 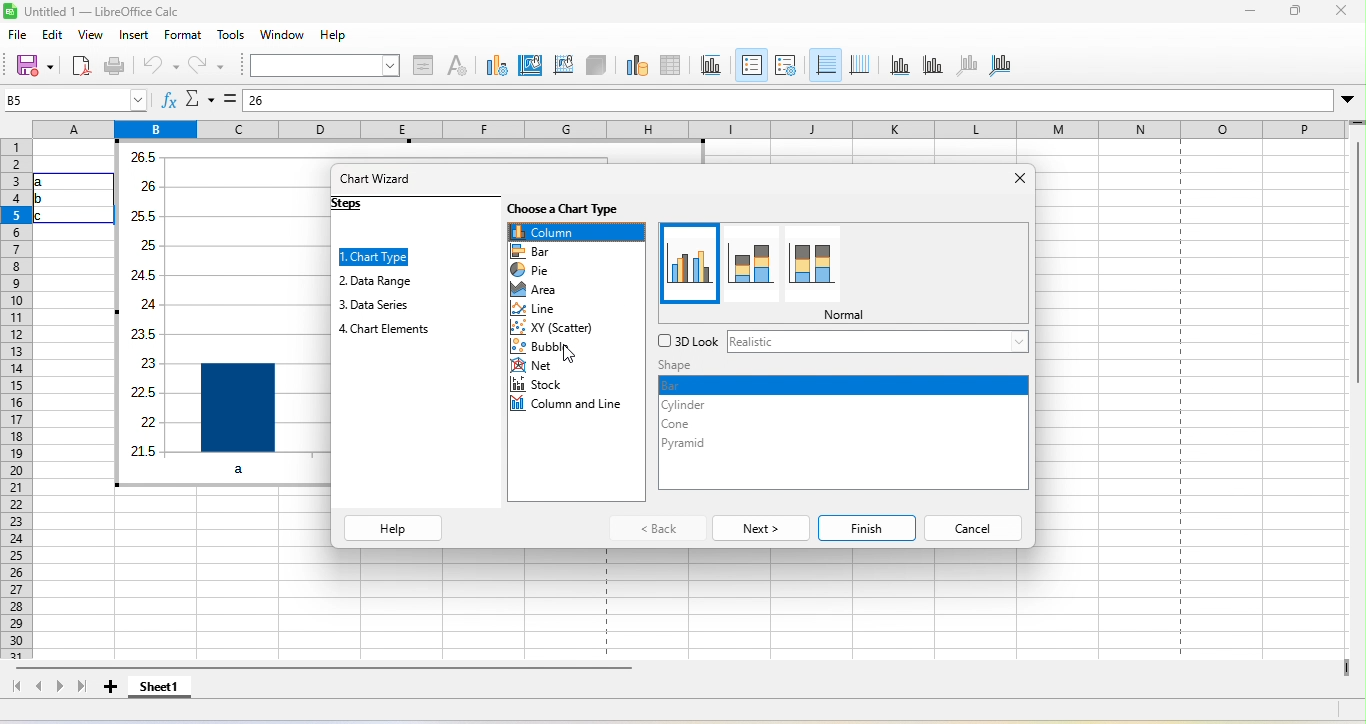 I want to click on b, so click(x=45, y=198).